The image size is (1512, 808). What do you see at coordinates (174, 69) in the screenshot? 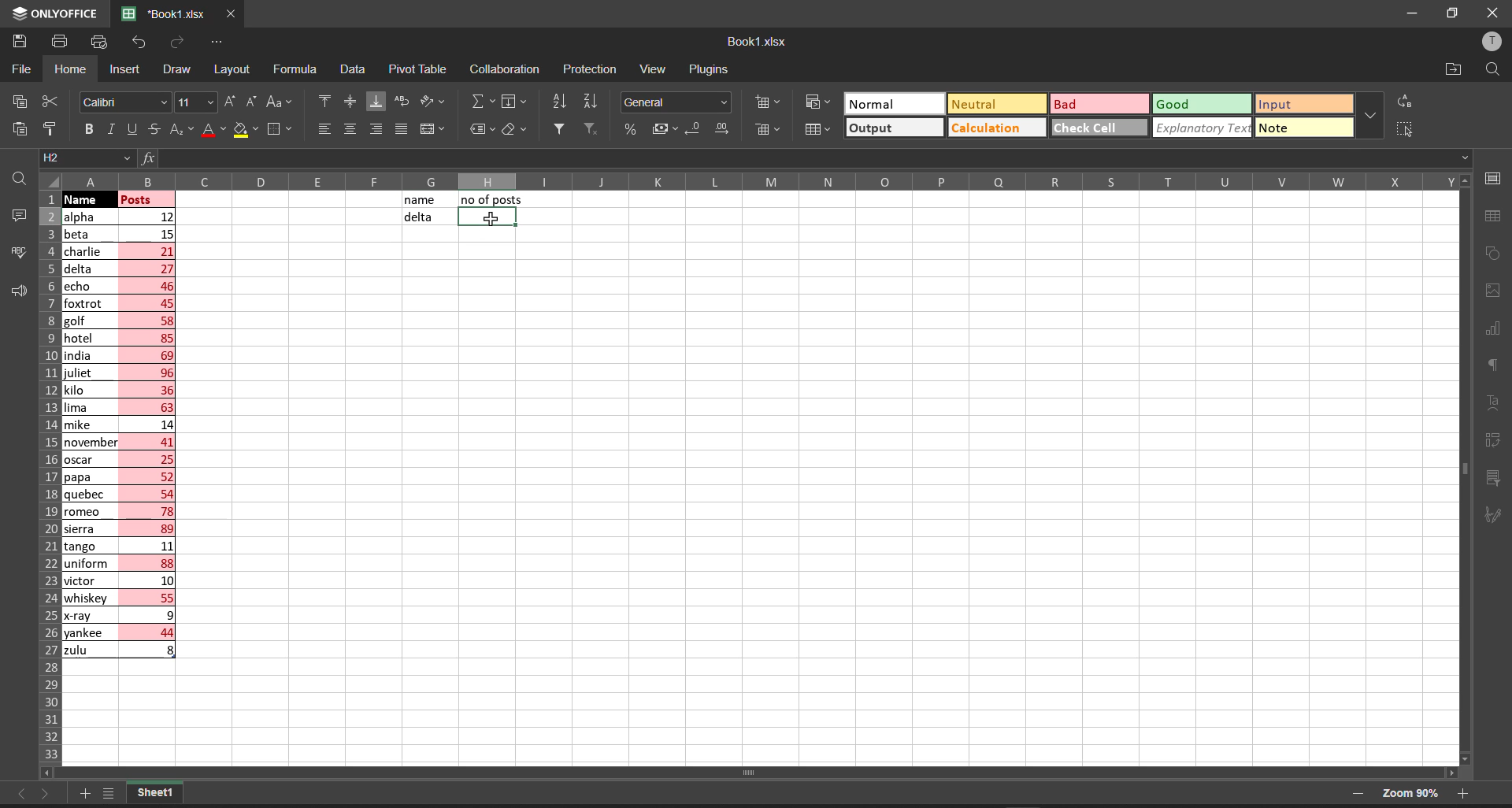
I see `draw` at bounding box center [174, 69].